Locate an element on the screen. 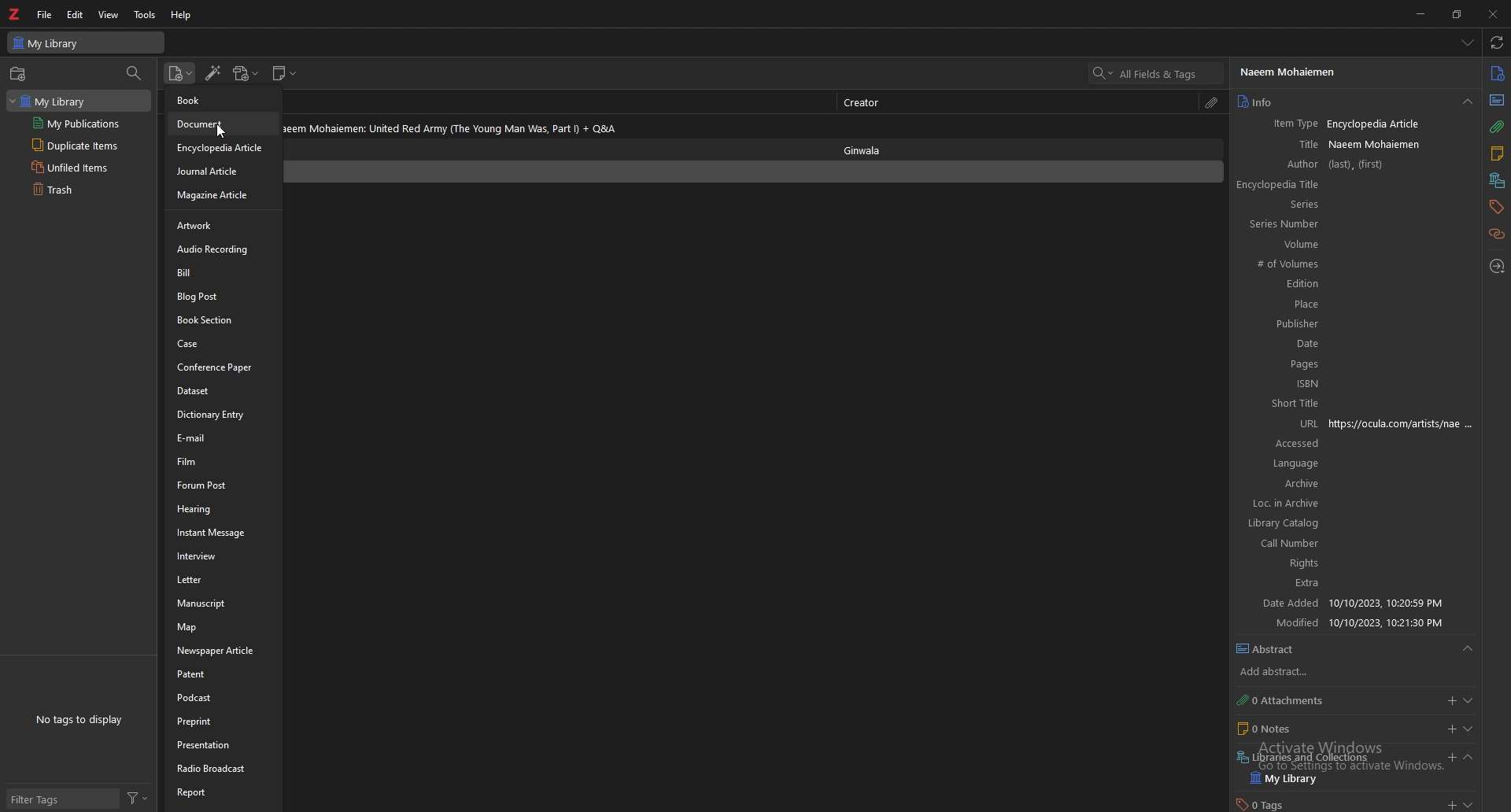 This screenshot has width=1511, height=812. date added input is located at coordinates (1400, 601).